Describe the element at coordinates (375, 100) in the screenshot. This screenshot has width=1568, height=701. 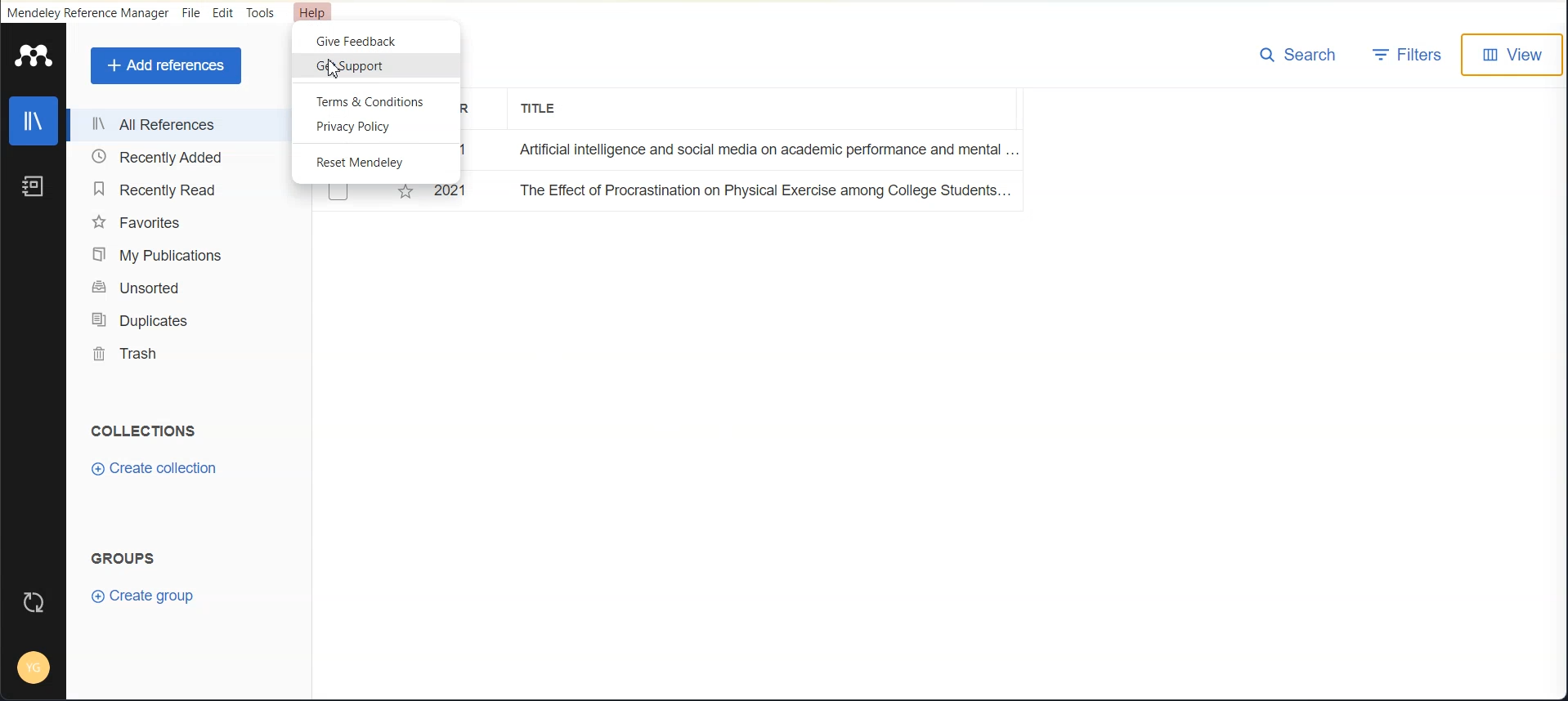
I see `Terms & Conditions` at that location.